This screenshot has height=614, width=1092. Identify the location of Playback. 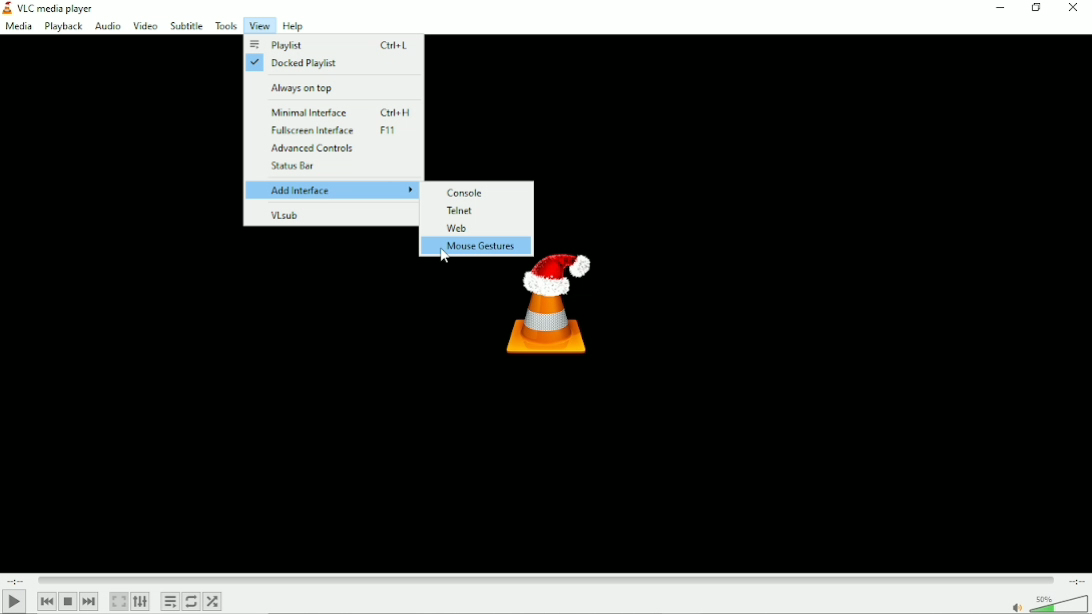
(63, 26).